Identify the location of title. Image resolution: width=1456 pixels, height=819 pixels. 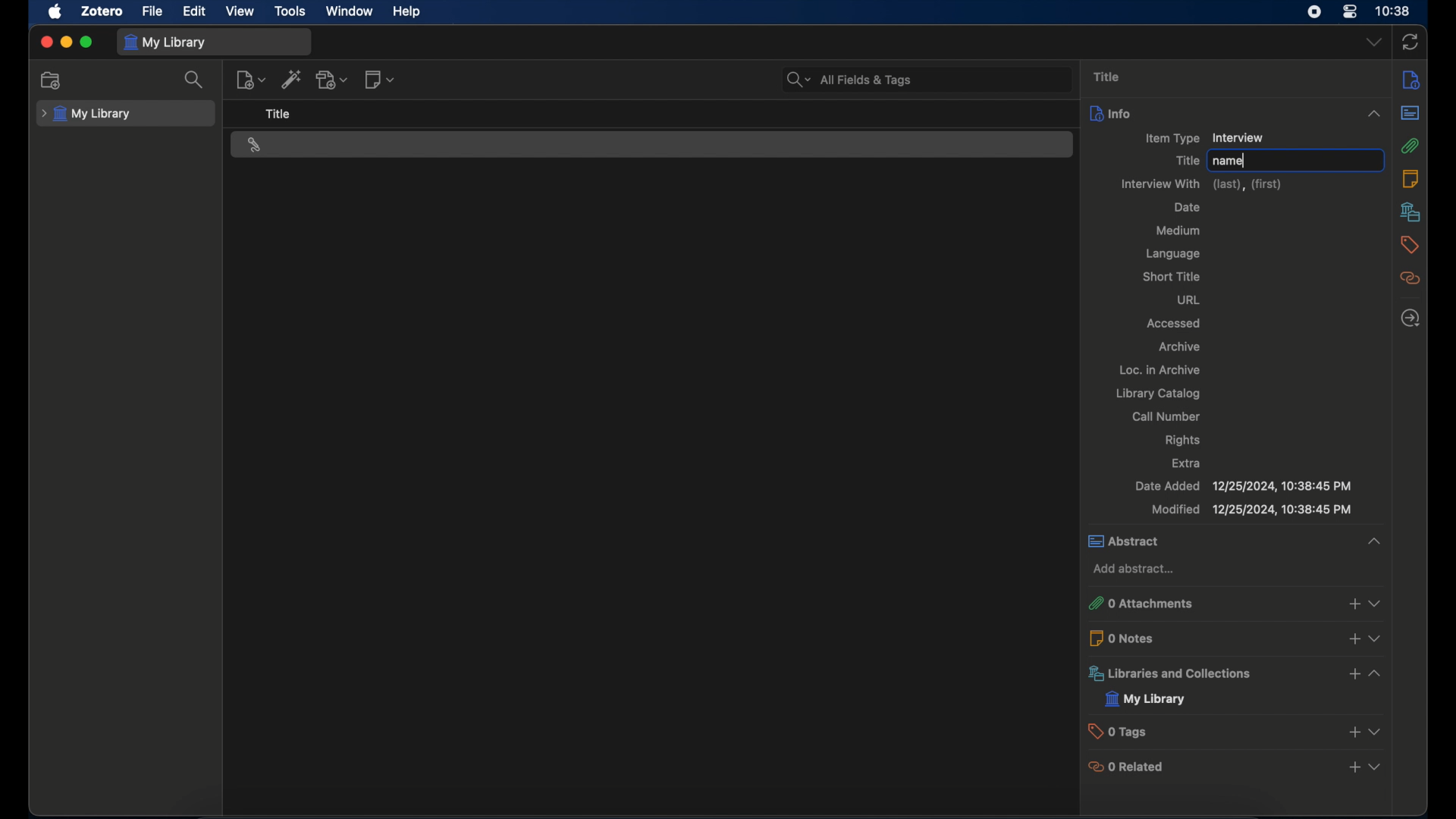
(1188, 161).